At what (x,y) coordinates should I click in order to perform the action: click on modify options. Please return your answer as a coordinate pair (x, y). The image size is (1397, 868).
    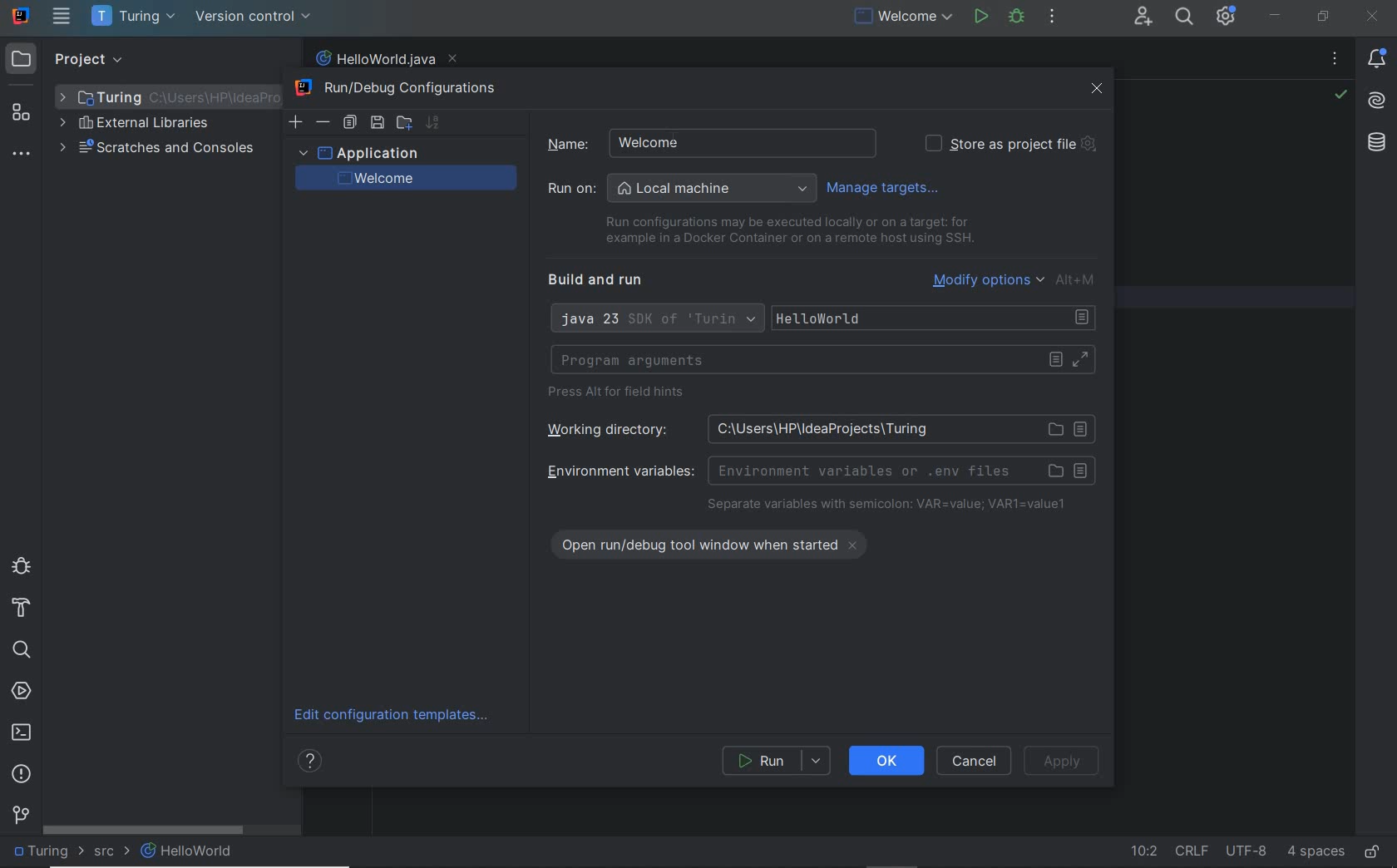
    Looking at the image, I should click on (1016, 279).